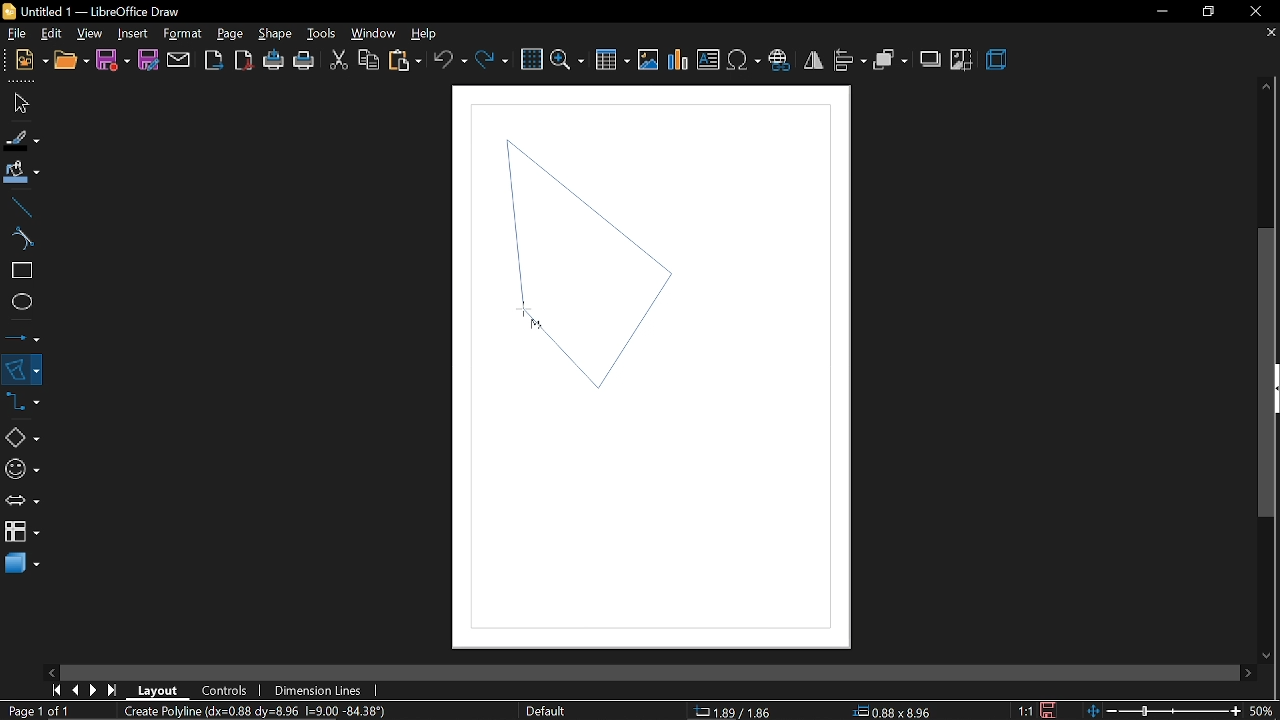  I want to click on Create Polviine (dx=3.99 dv=4.23 |=582 -46.73%), so click(275, 710).